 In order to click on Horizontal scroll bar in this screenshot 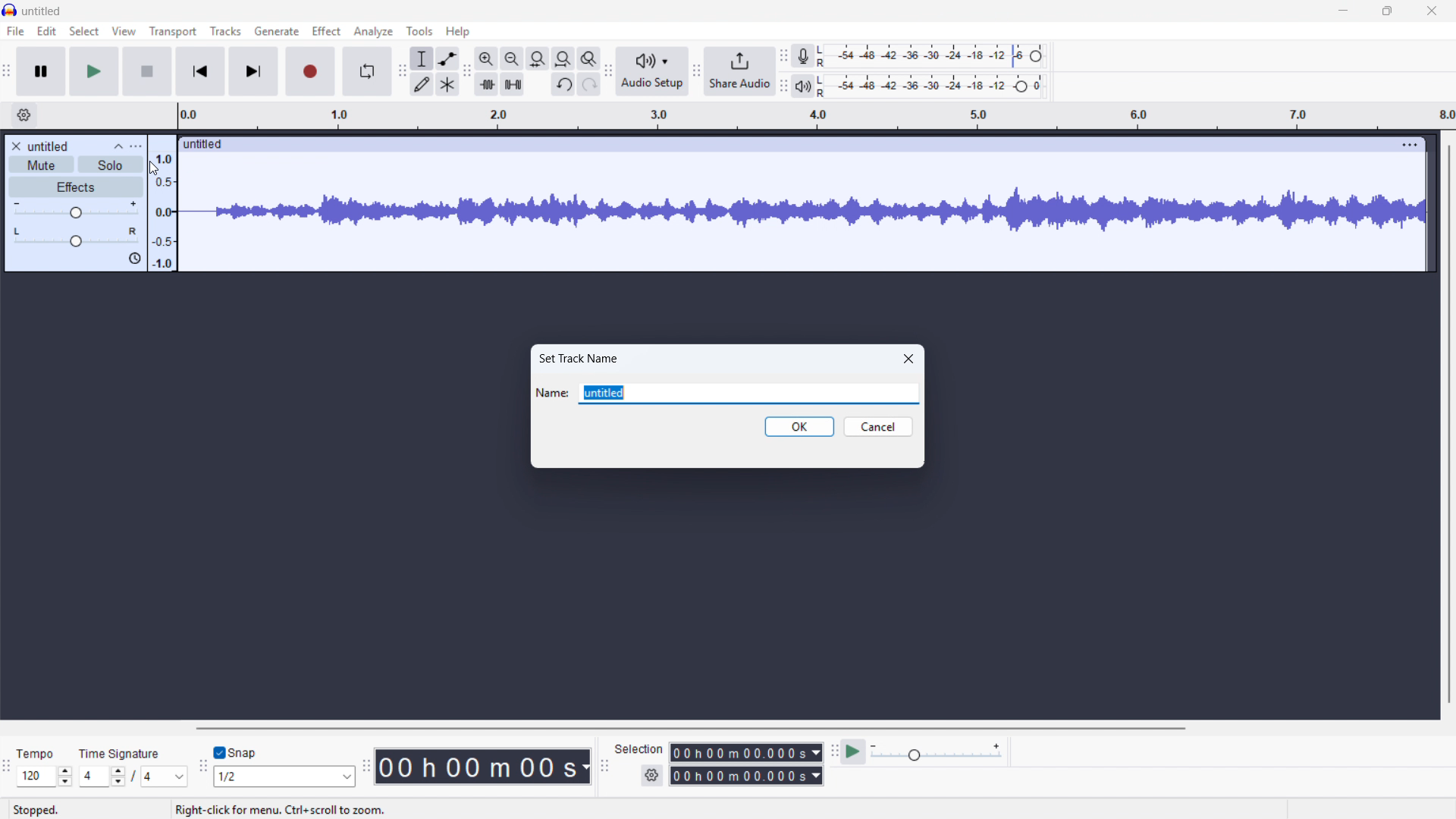, I will do `click(809, 729)`.